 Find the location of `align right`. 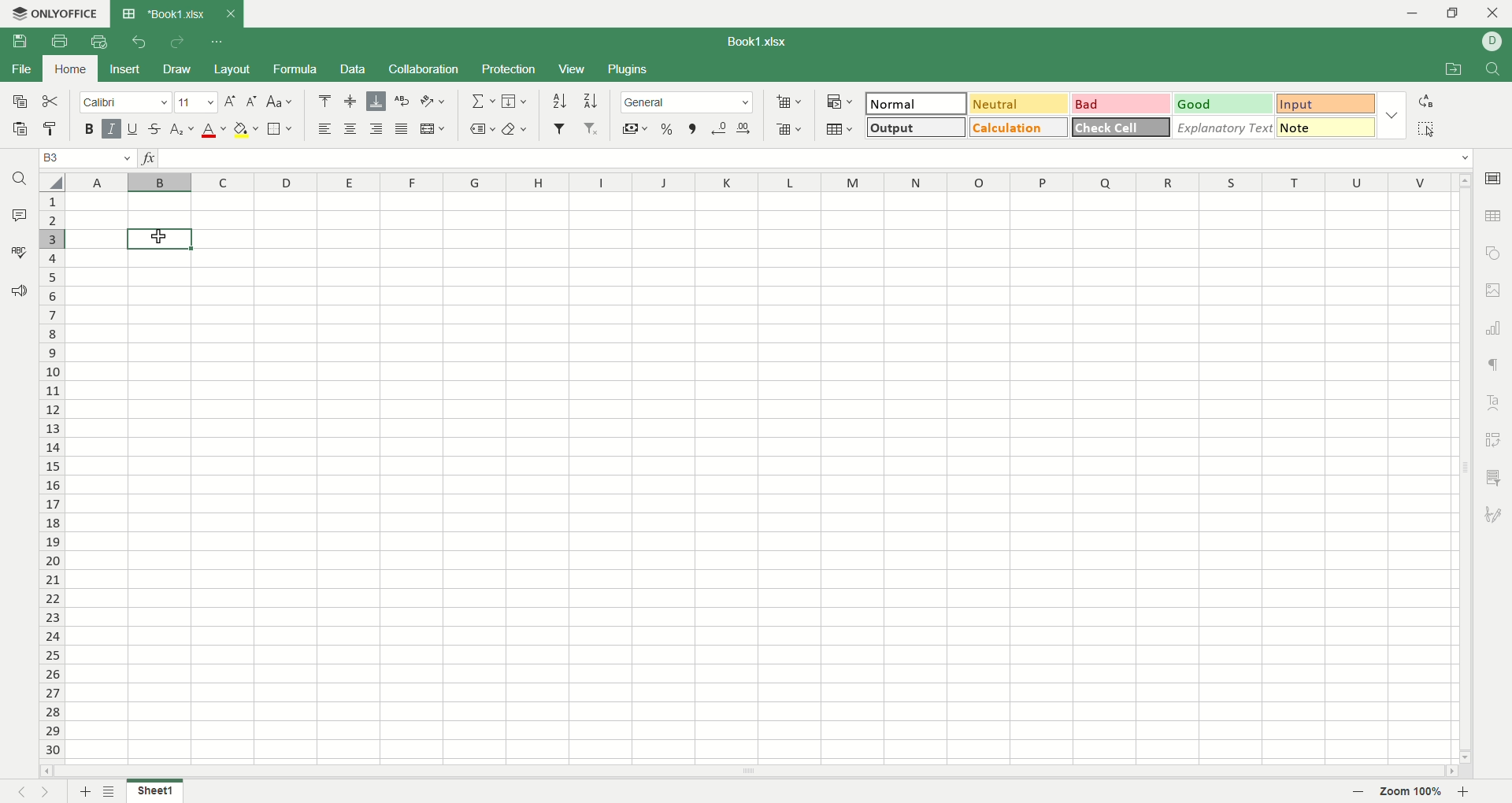

align right is located at coordinates (374, 128).